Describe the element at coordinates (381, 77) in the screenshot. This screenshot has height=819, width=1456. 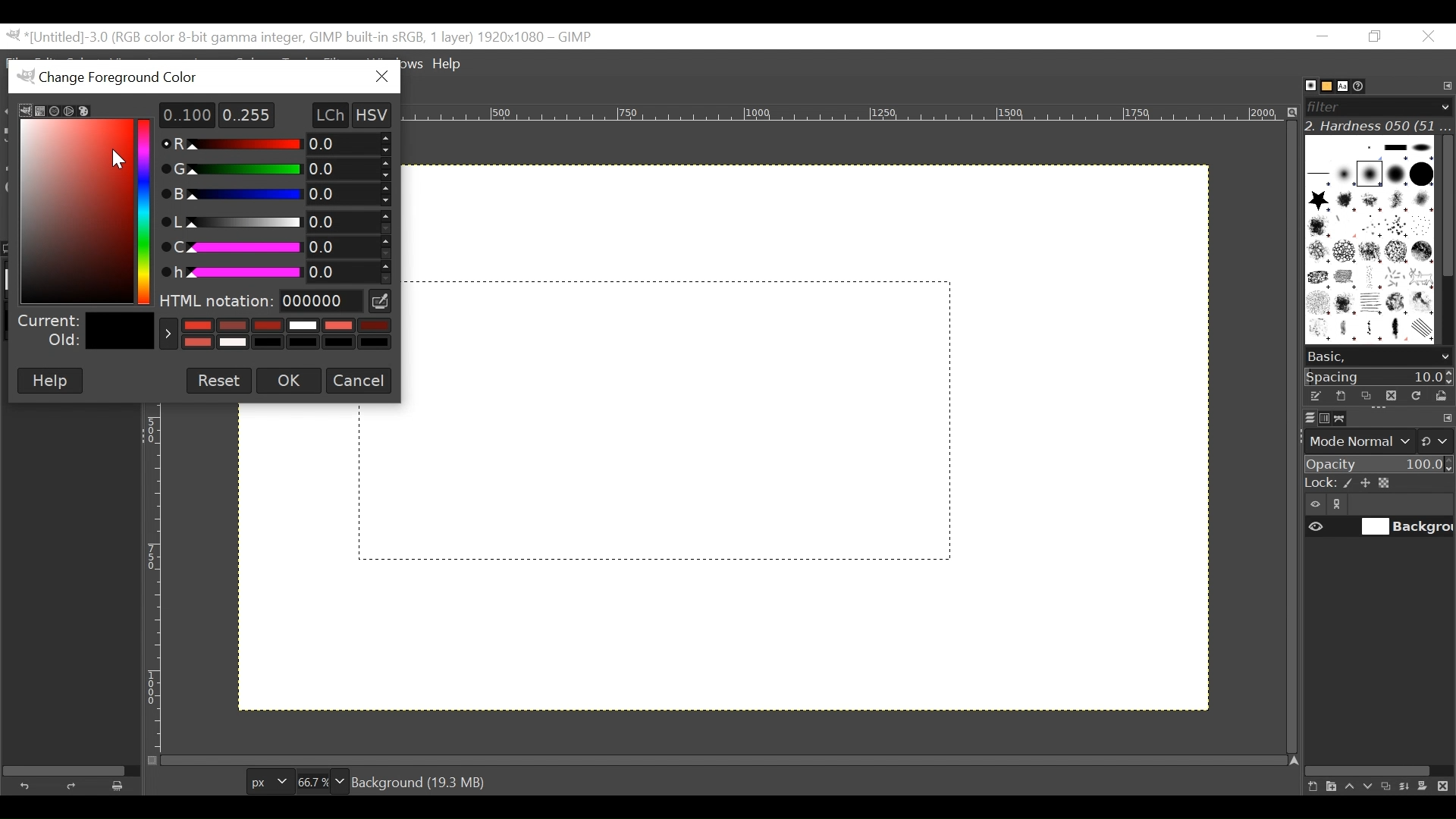
I see `Close` at that location.